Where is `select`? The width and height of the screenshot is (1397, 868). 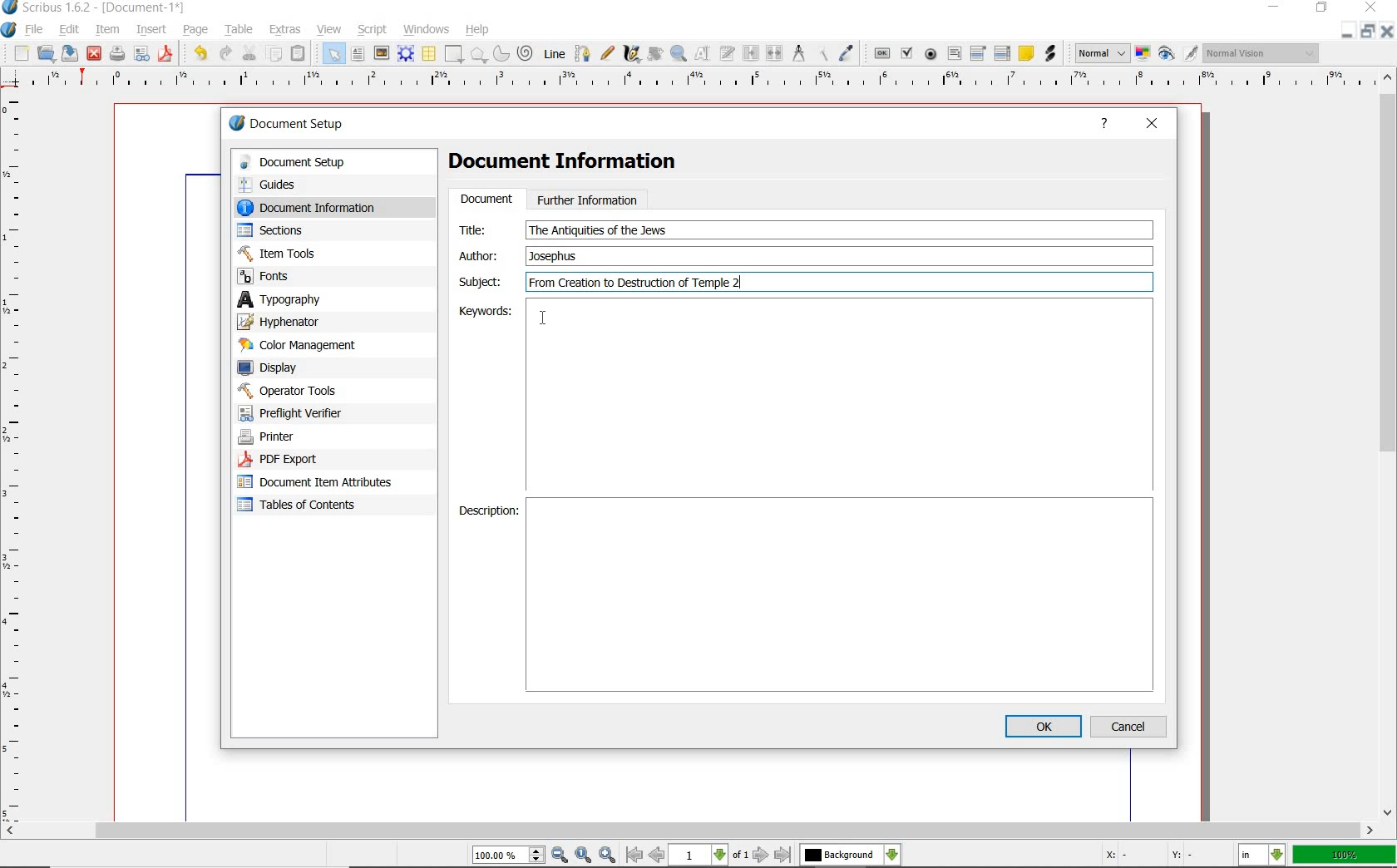
select is located at coordinates (335, 53).